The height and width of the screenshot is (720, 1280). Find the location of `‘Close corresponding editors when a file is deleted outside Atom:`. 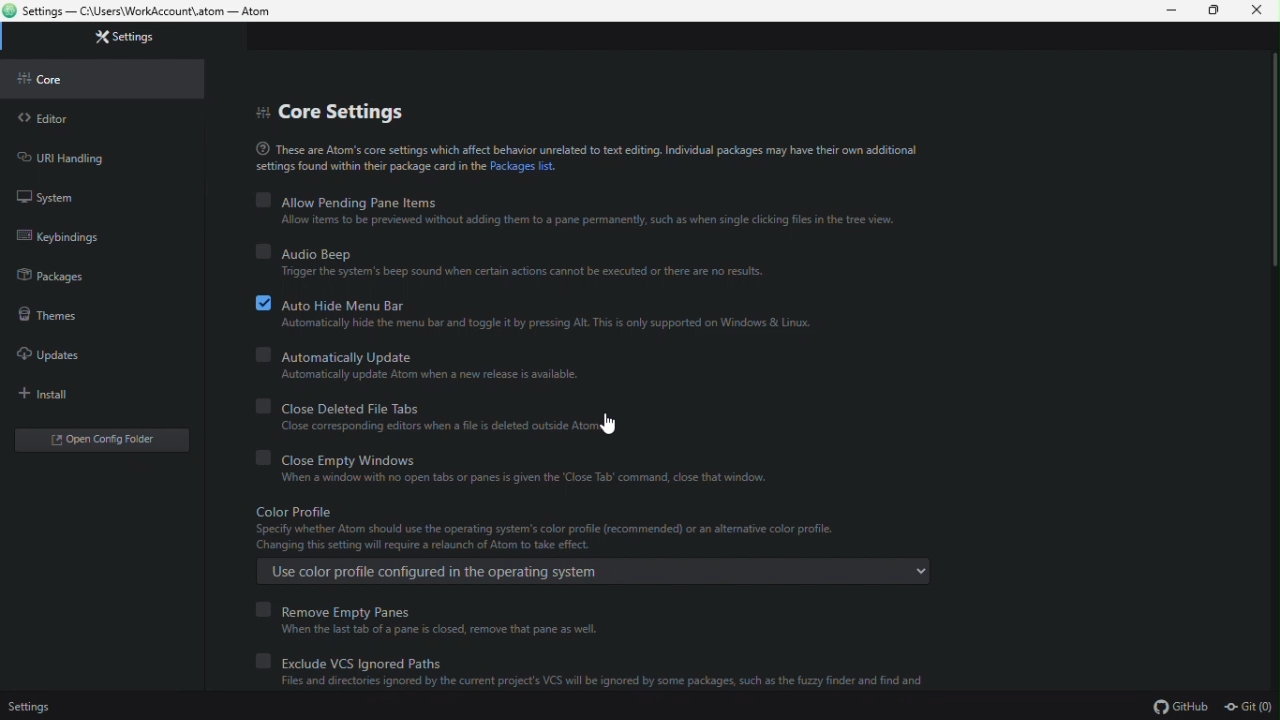

‘Close corresponding editors when a file is deleted outside Atom: is located at coordinates (428, 427).